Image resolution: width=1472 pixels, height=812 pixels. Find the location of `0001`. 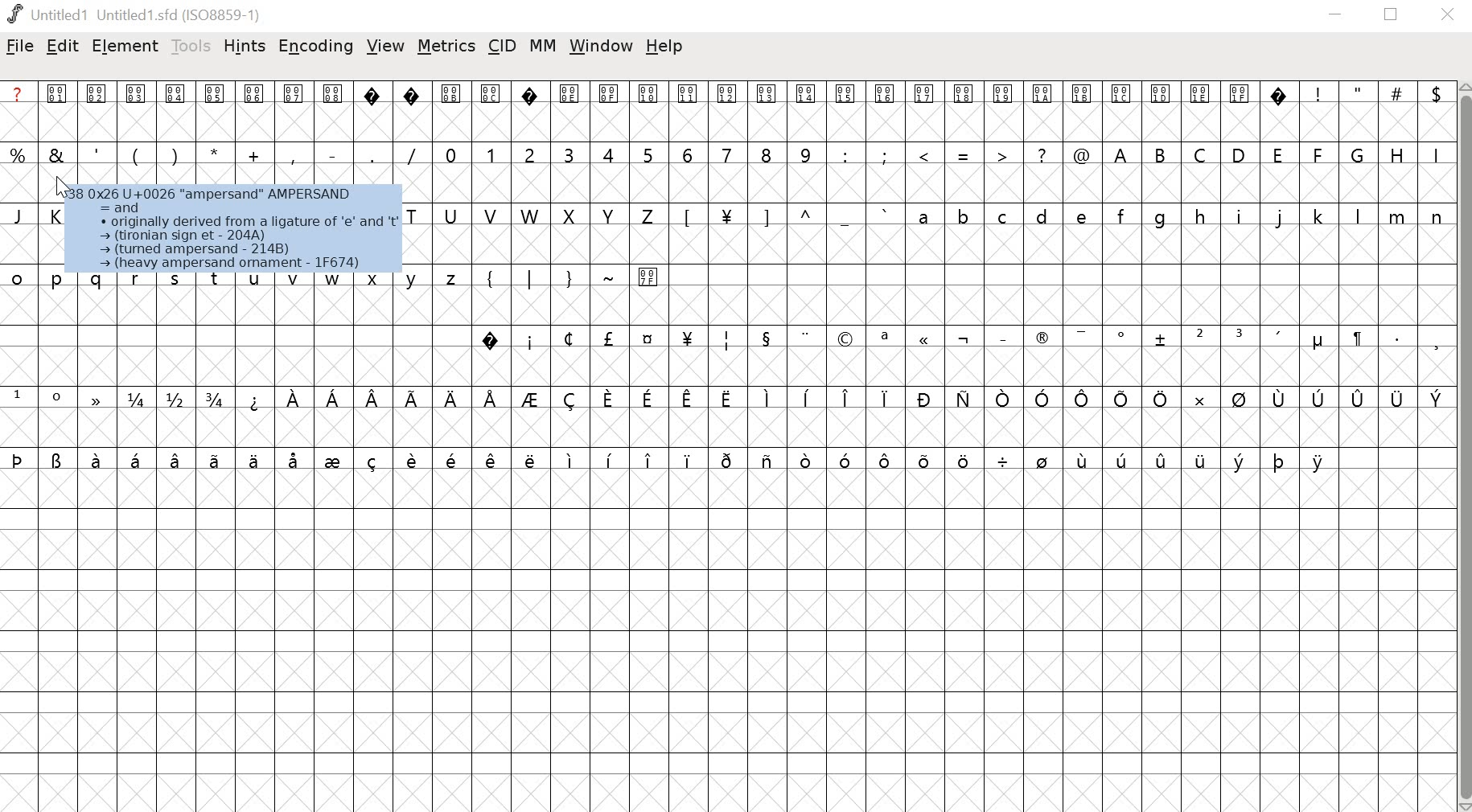

0001 is located at coordinates (60, 112).